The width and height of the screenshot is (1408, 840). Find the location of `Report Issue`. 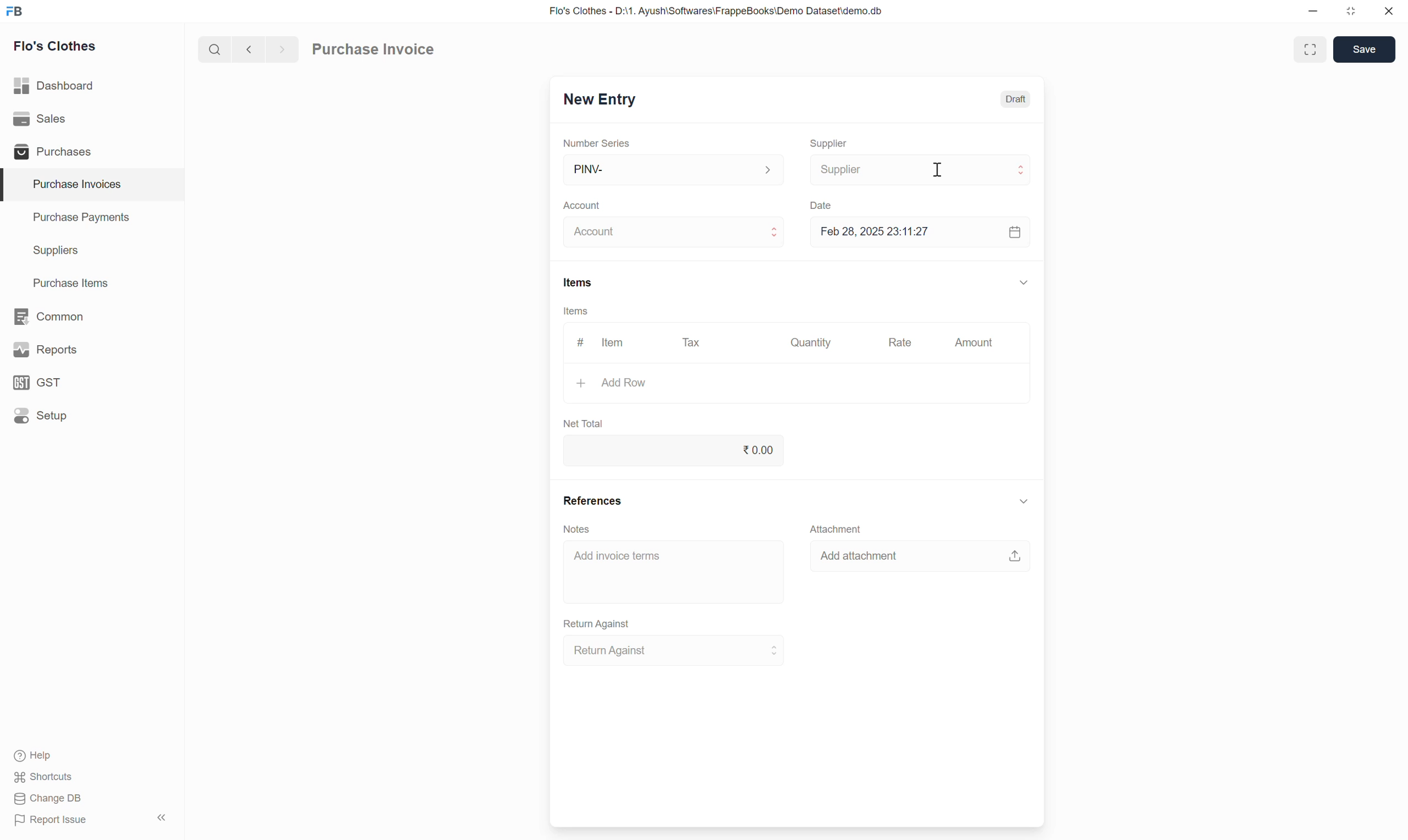

Report Issue is located at coordinates (51, 820).